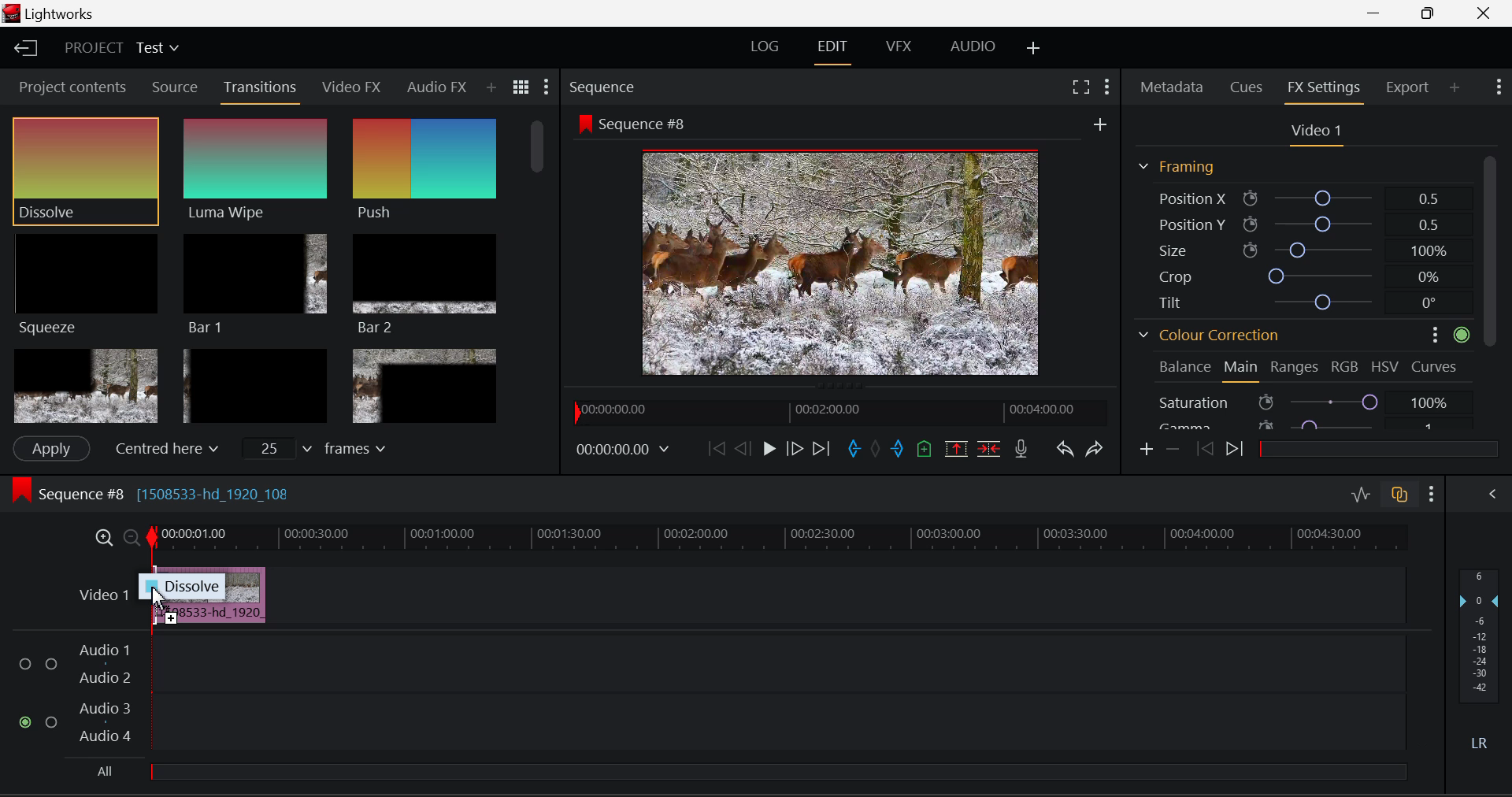  I want to click on Size, so click(1296, 250).